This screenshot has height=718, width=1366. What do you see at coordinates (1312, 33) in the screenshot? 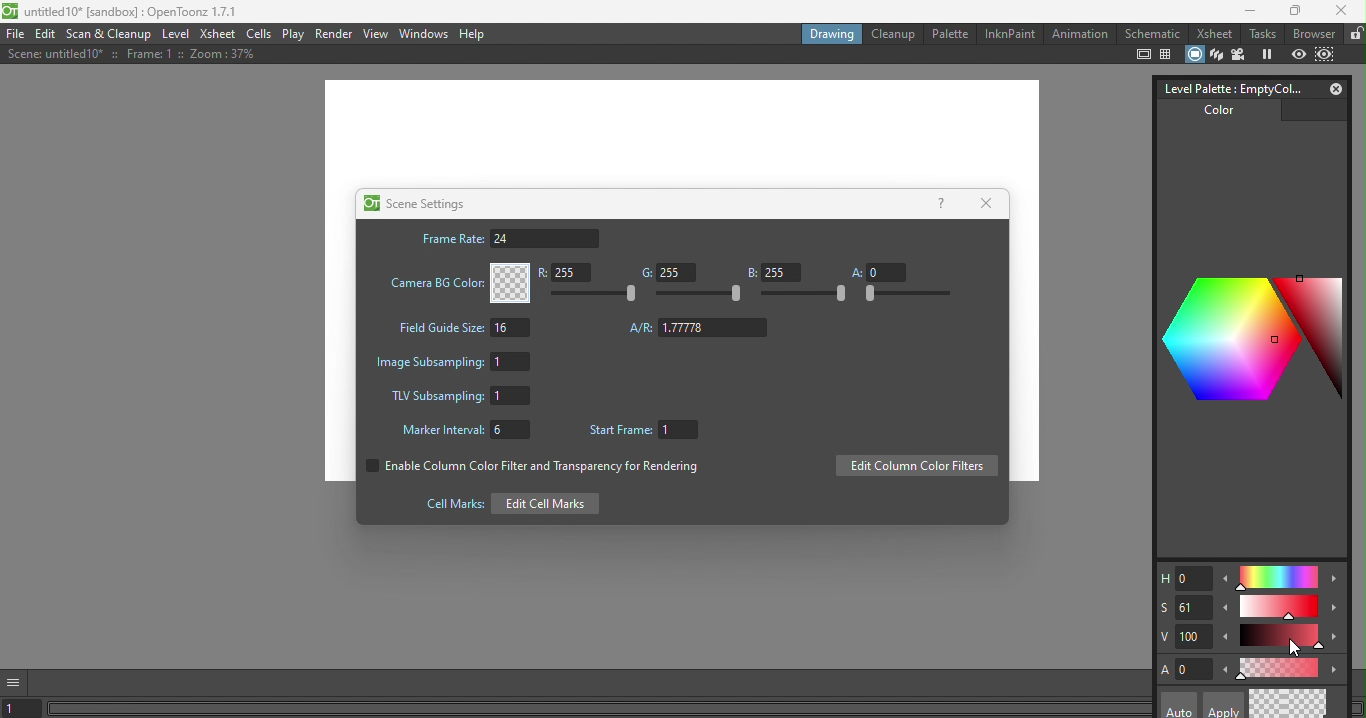
I see `Browser` at bounding box center [1312, 33].